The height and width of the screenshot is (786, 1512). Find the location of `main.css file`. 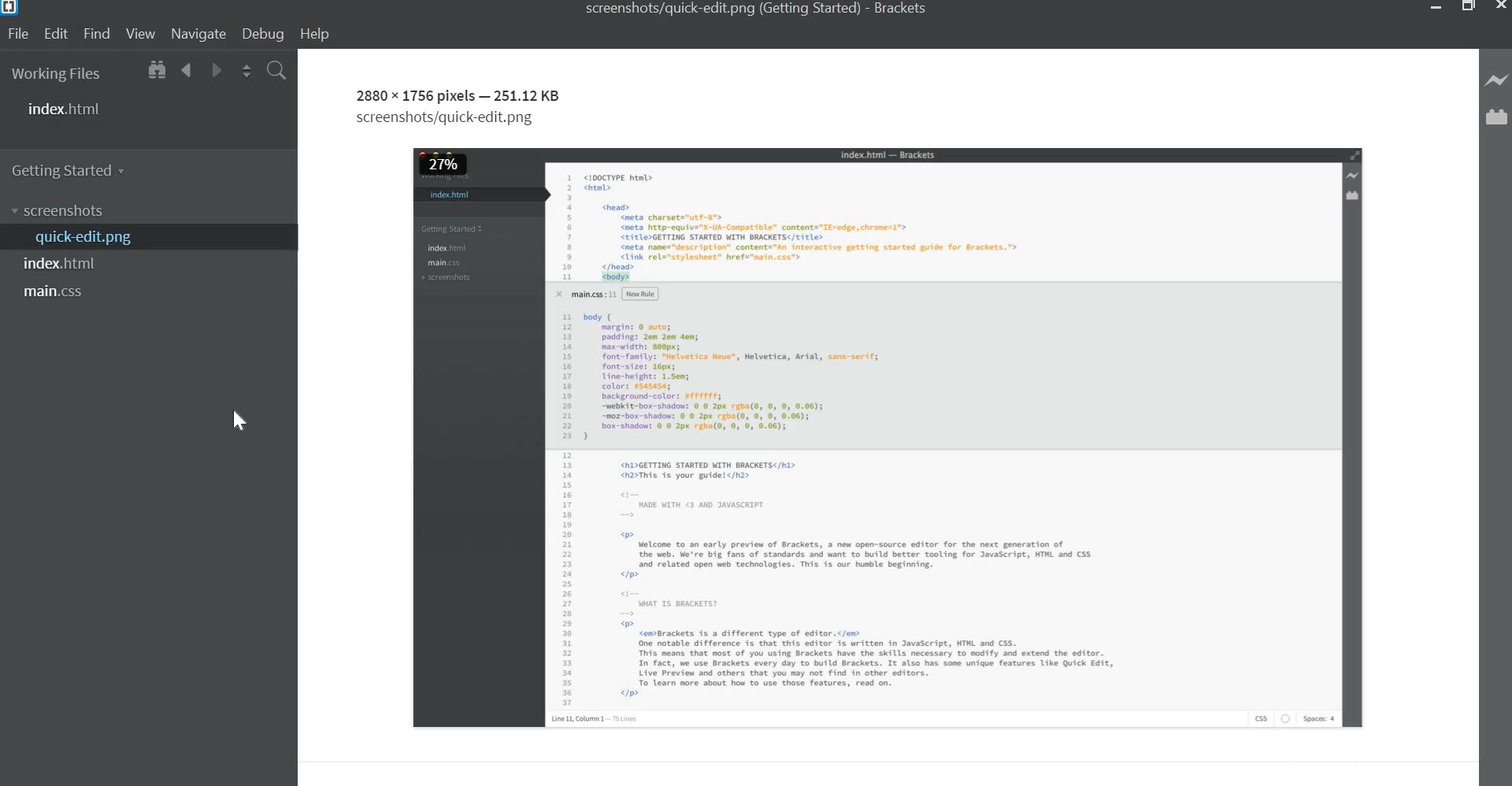

main.css file is located at coordinates (58, 292).